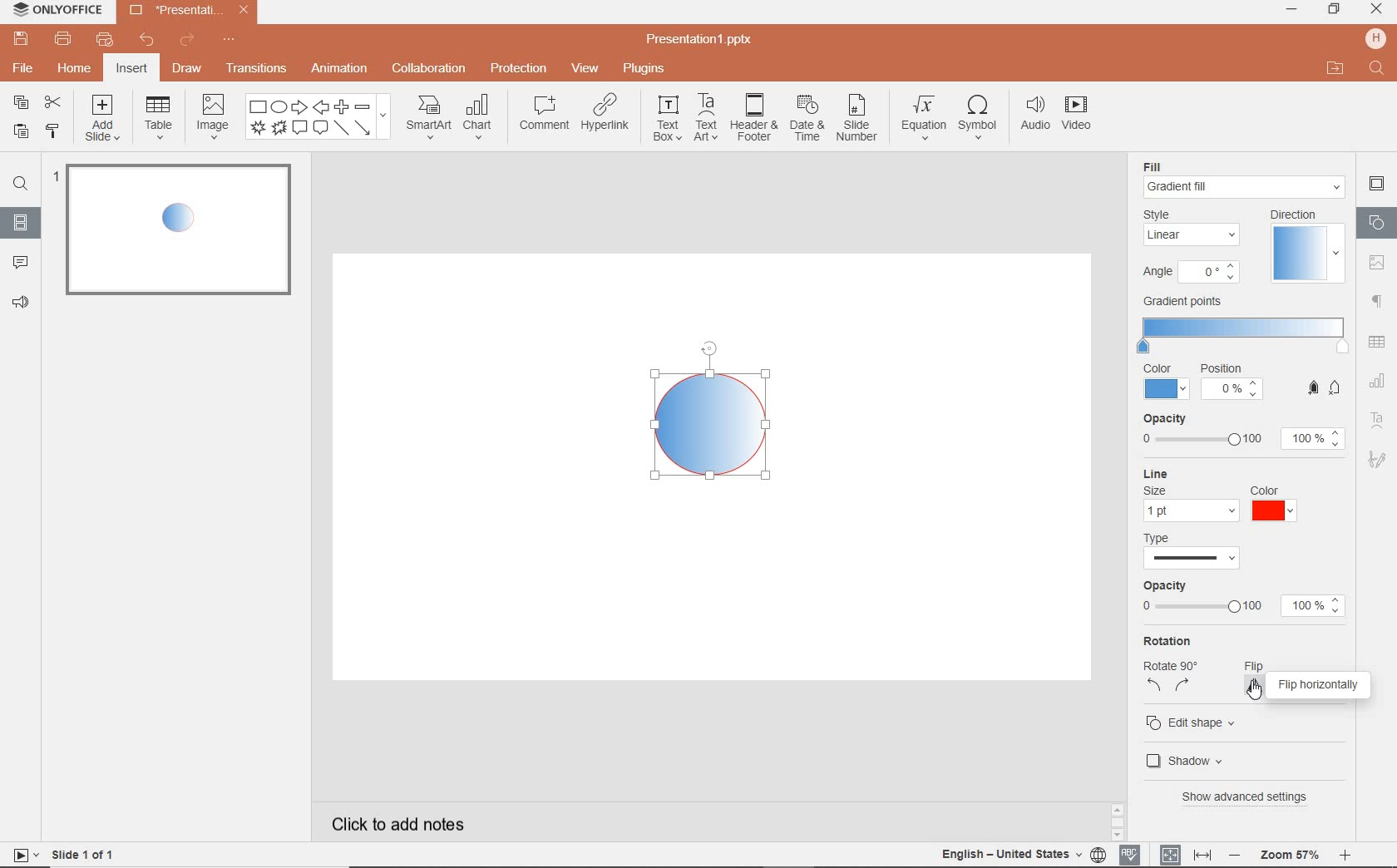 The height and width of the screenshot is (868, 1397). What do you see at coordinates (479, 118) in the screenshot?
I see `chart` at bounding box center [479, 118].